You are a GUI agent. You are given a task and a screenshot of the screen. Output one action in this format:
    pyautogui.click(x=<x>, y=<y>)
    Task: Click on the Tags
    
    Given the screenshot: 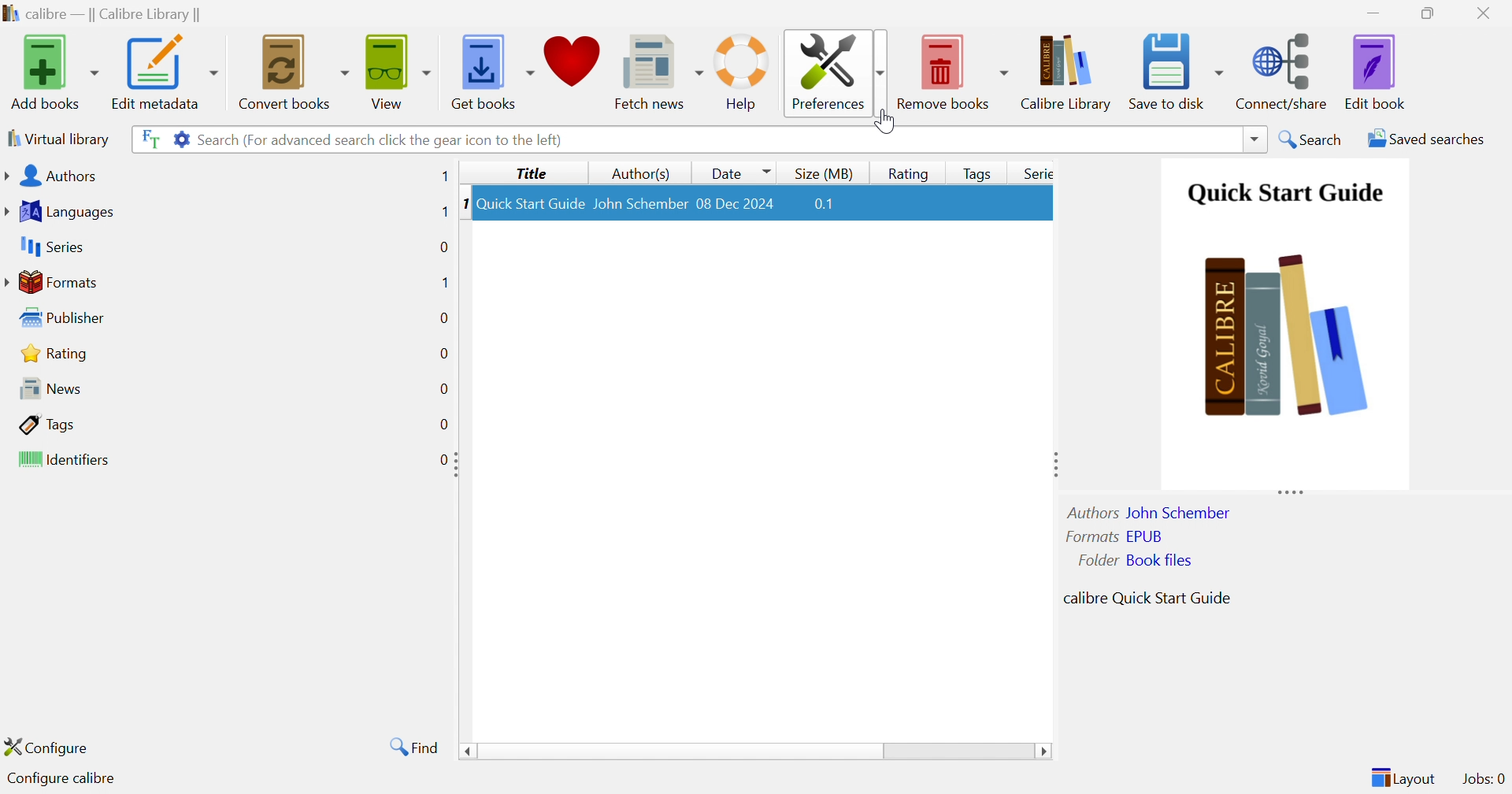 What is the action you would take?
    pyautogui.click(x=976, y=173)
    